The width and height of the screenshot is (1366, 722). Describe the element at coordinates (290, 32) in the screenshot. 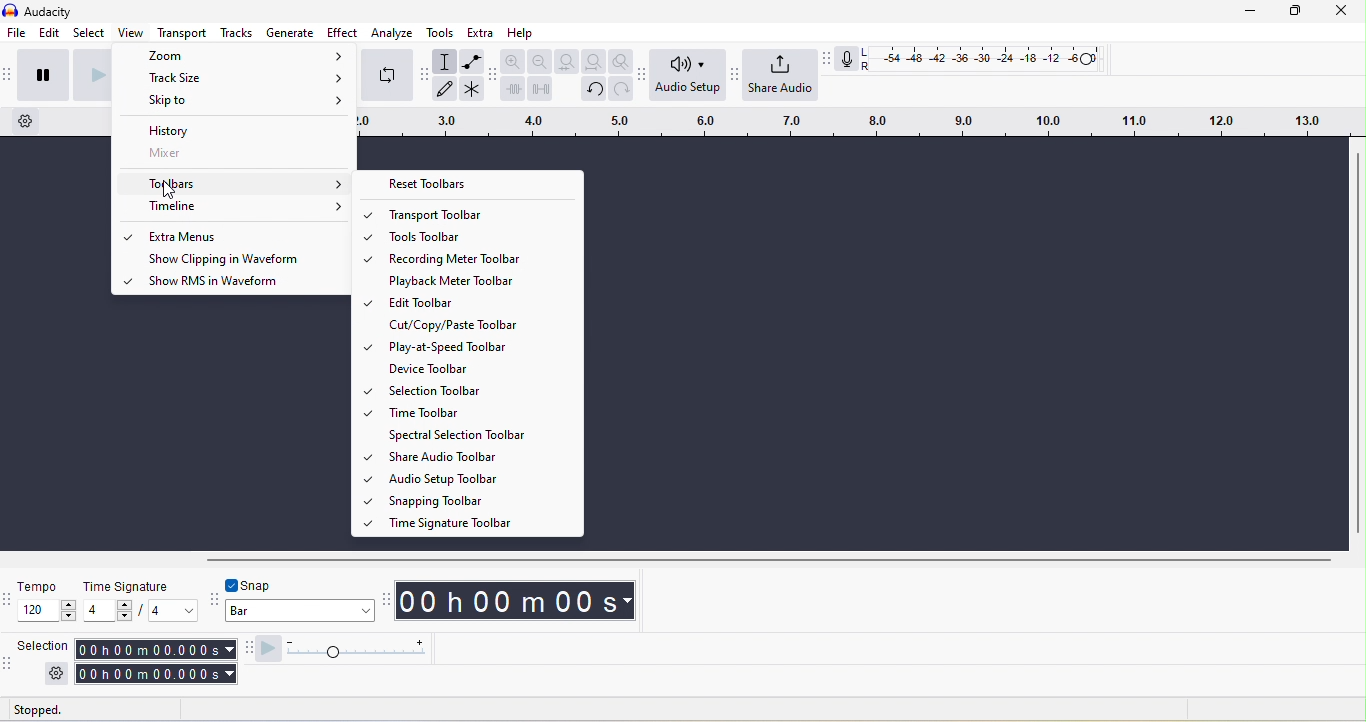

I see `generate` at that location.